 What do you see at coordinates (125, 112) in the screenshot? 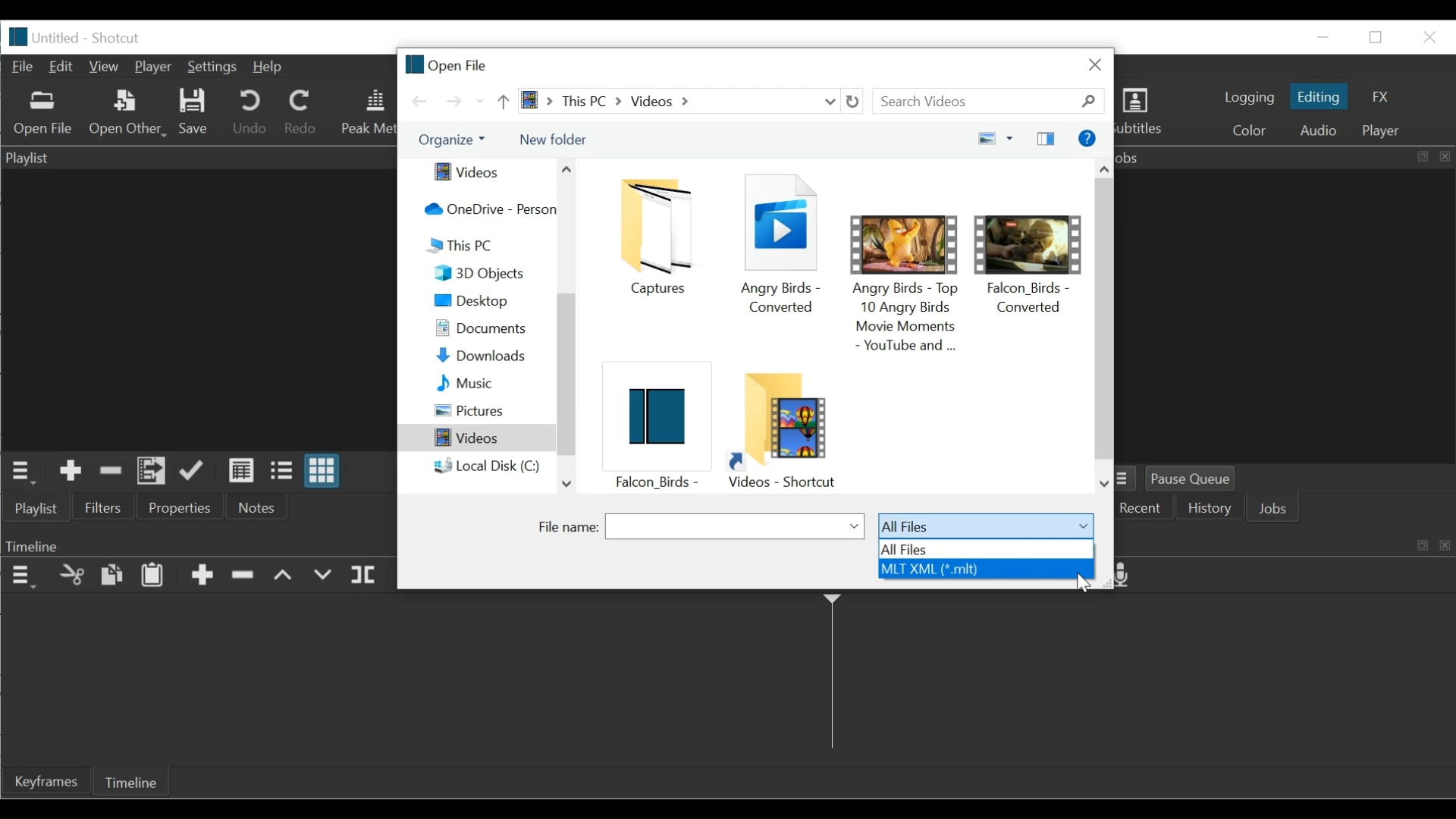
I see `Open Other` at bounding box center [125, 112].